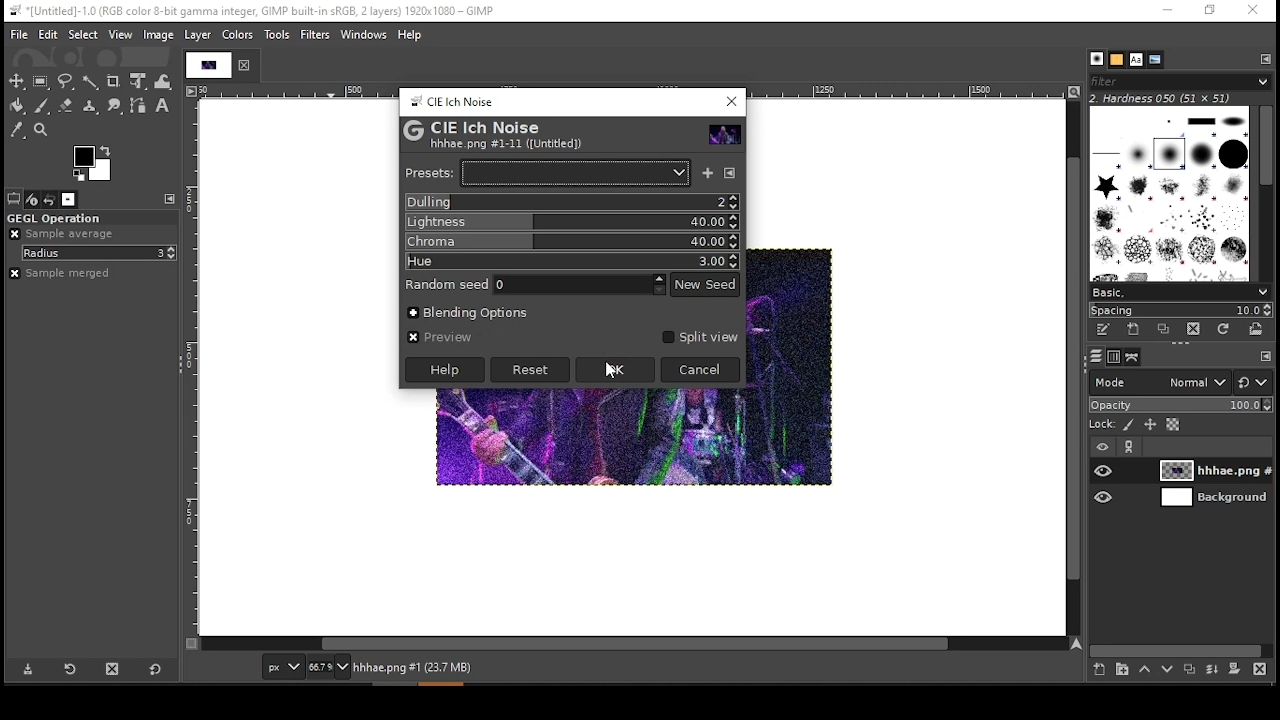  Describe the element at coordinates (505, 144) in the screenshot. I see `hhhae.png#1-11 ([untitled])` at that location.